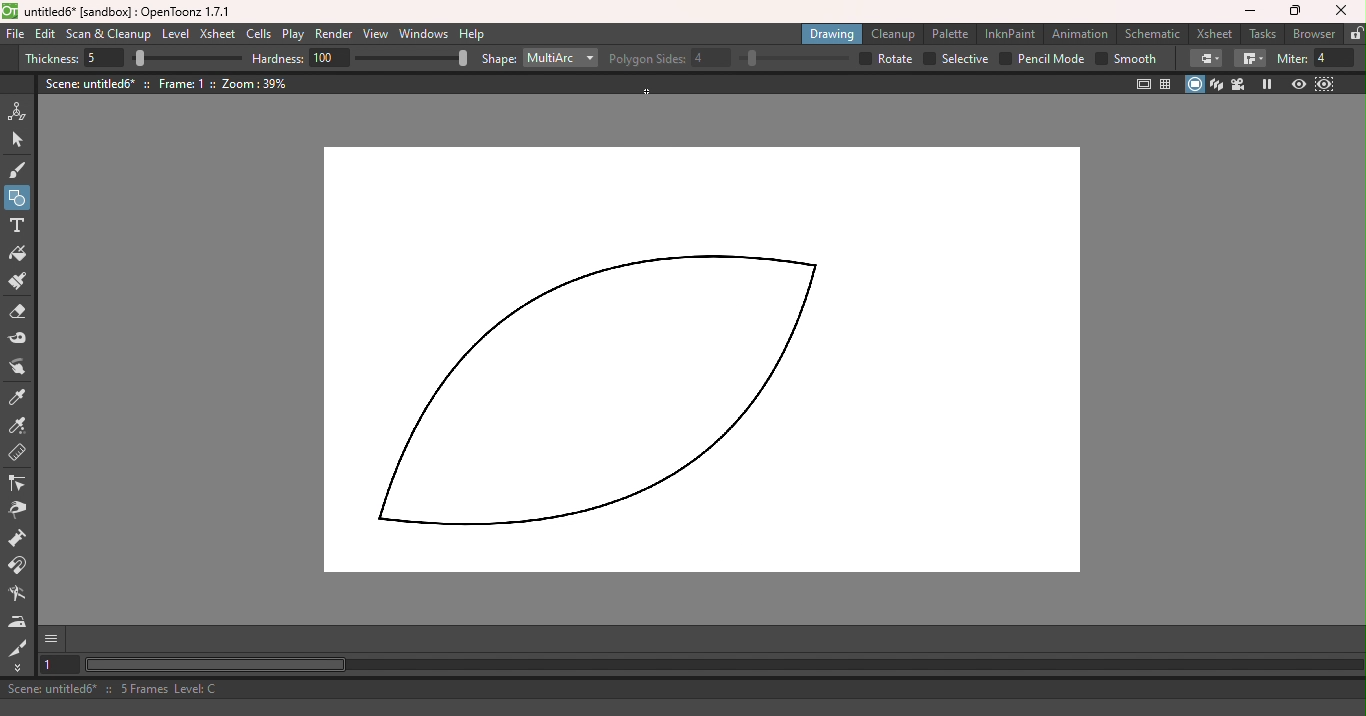 The height and width of the screenshot is (716, 1366). I want to click on Polygon sides, so click(671, 56).